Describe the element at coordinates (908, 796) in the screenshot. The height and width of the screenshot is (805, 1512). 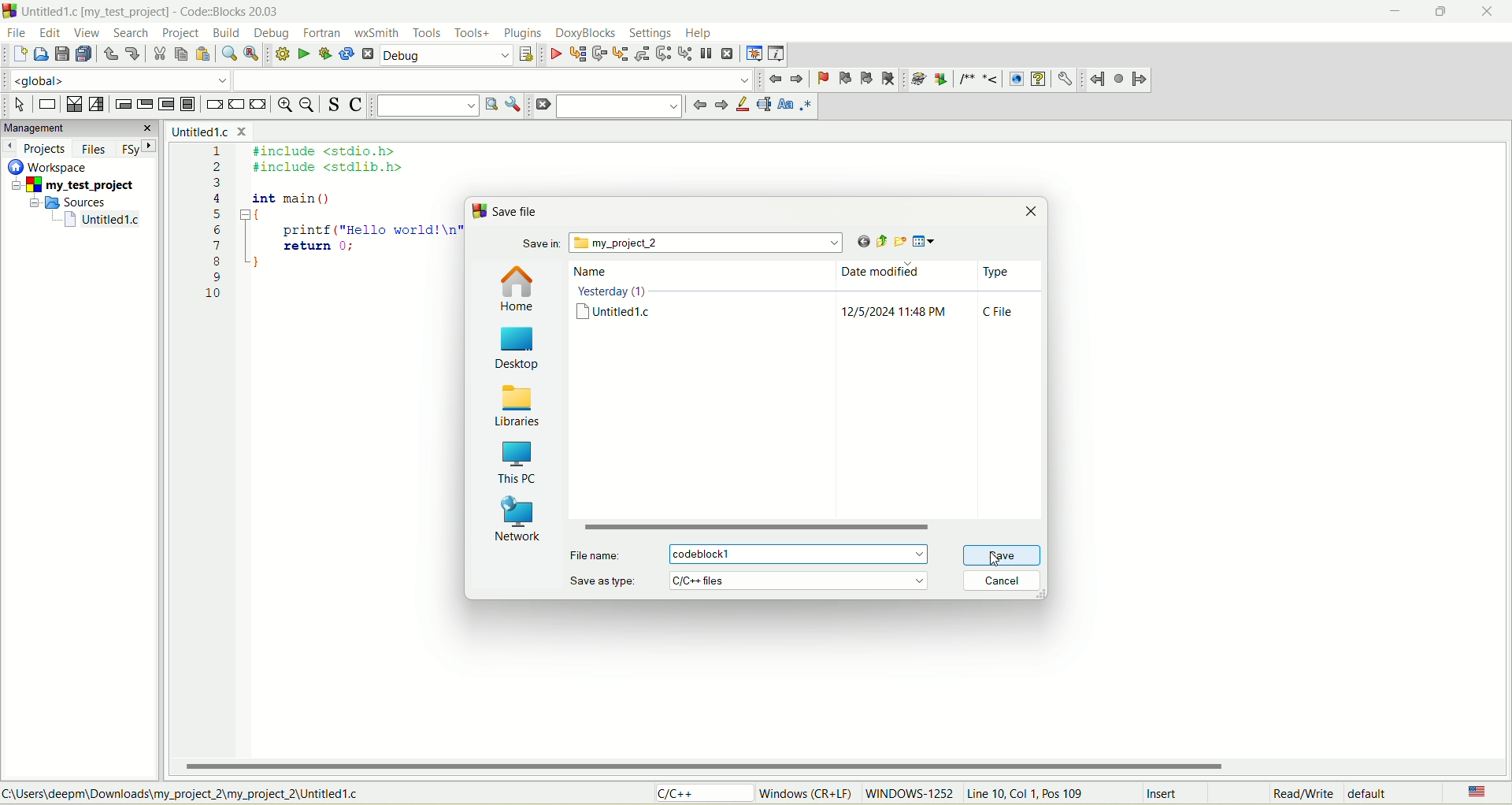
I see `WINDOWS-1252` at that location.